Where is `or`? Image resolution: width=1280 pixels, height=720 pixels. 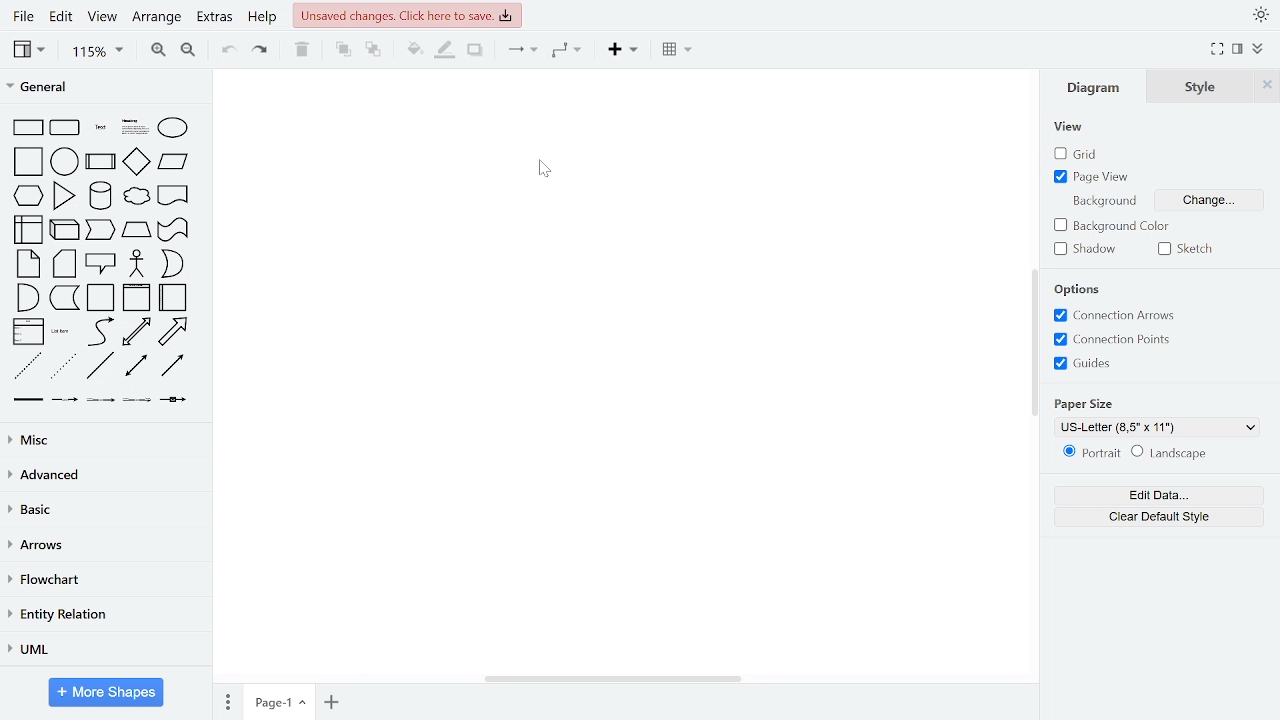
or is located at coordinates (173, 262).